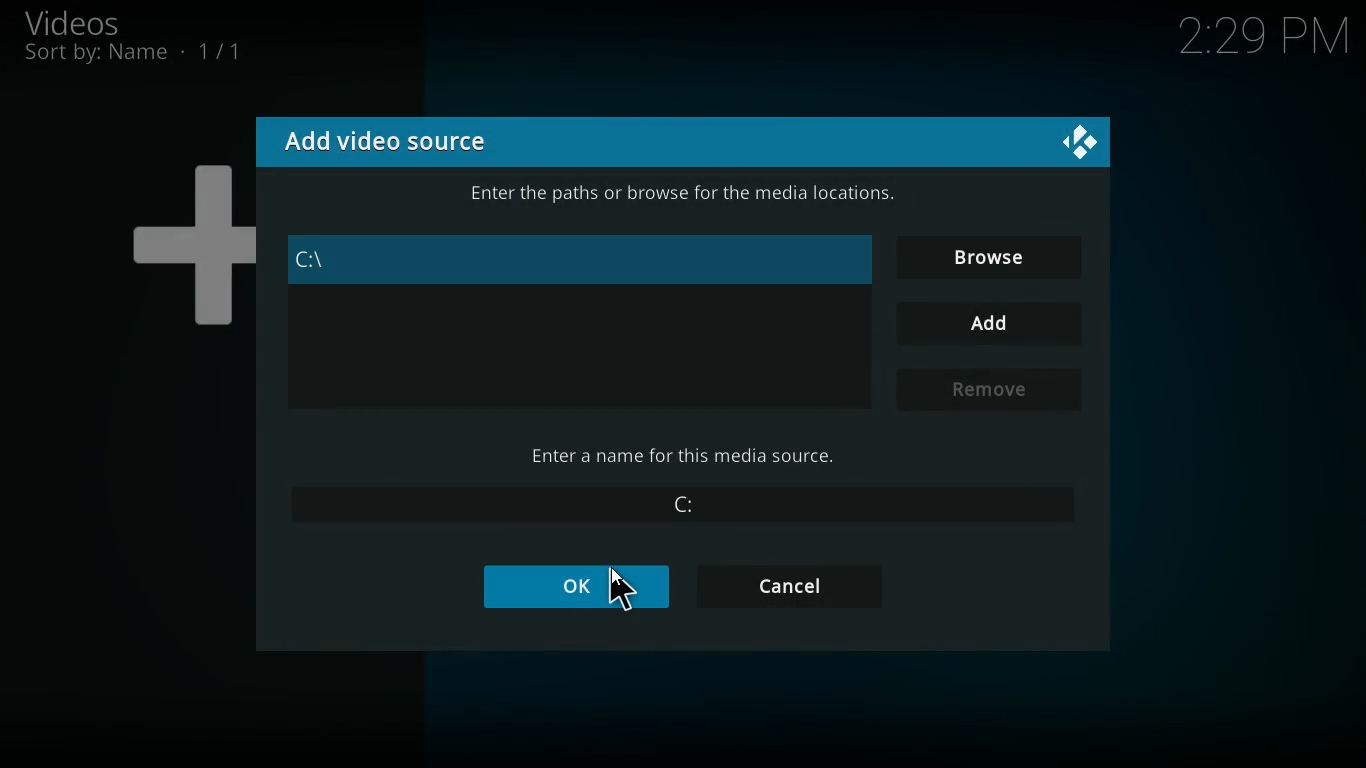 The width and height of the screenshot is (1366, 768). Describe the element at coordinates (989, 257) in the screenshot. I see `browse` at that location.